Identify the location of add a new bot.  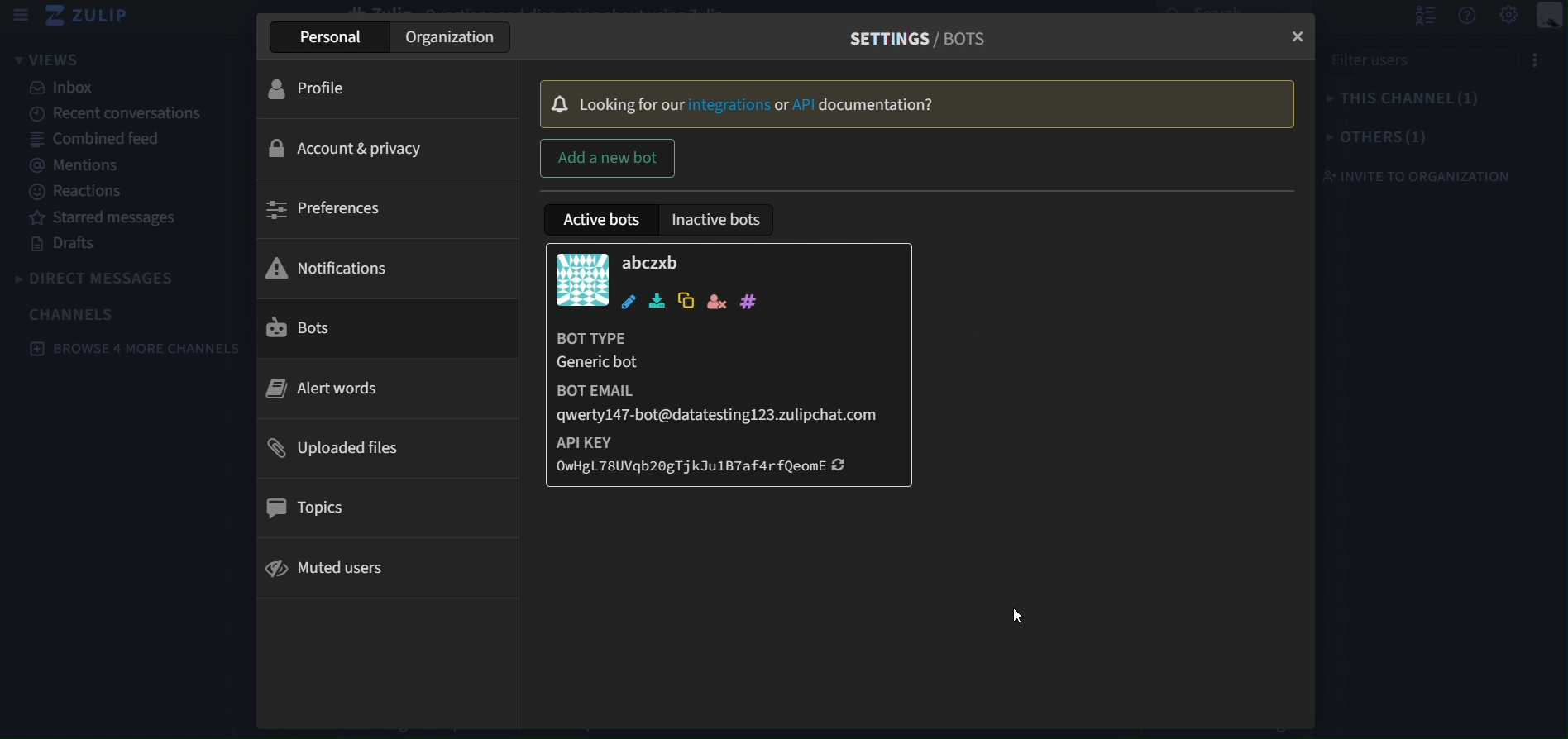
(614, 156).